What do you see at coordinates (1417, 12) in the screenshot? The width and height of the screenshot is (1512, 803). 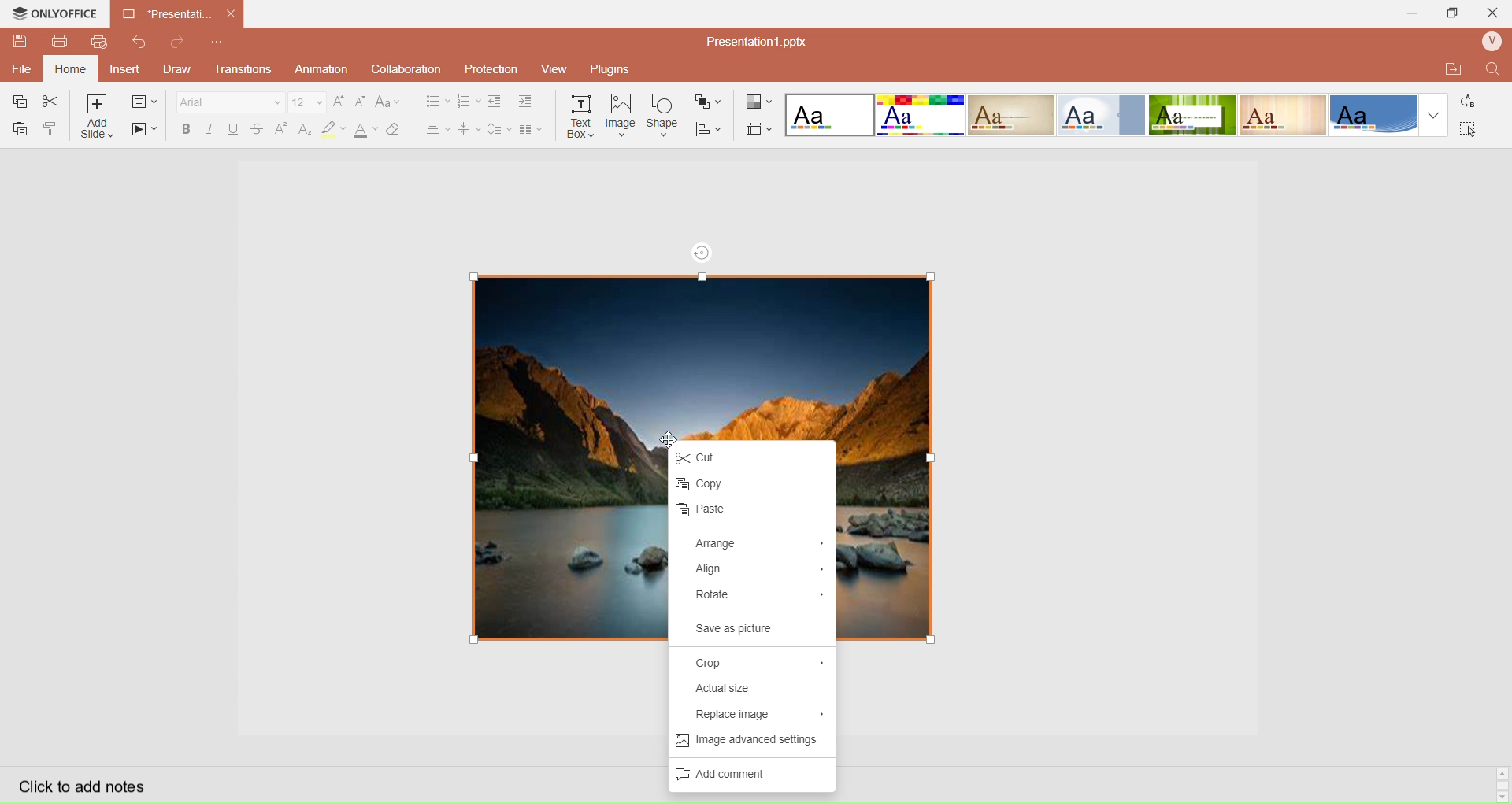 I see `Minimize` at bounding box center [1417, 12].